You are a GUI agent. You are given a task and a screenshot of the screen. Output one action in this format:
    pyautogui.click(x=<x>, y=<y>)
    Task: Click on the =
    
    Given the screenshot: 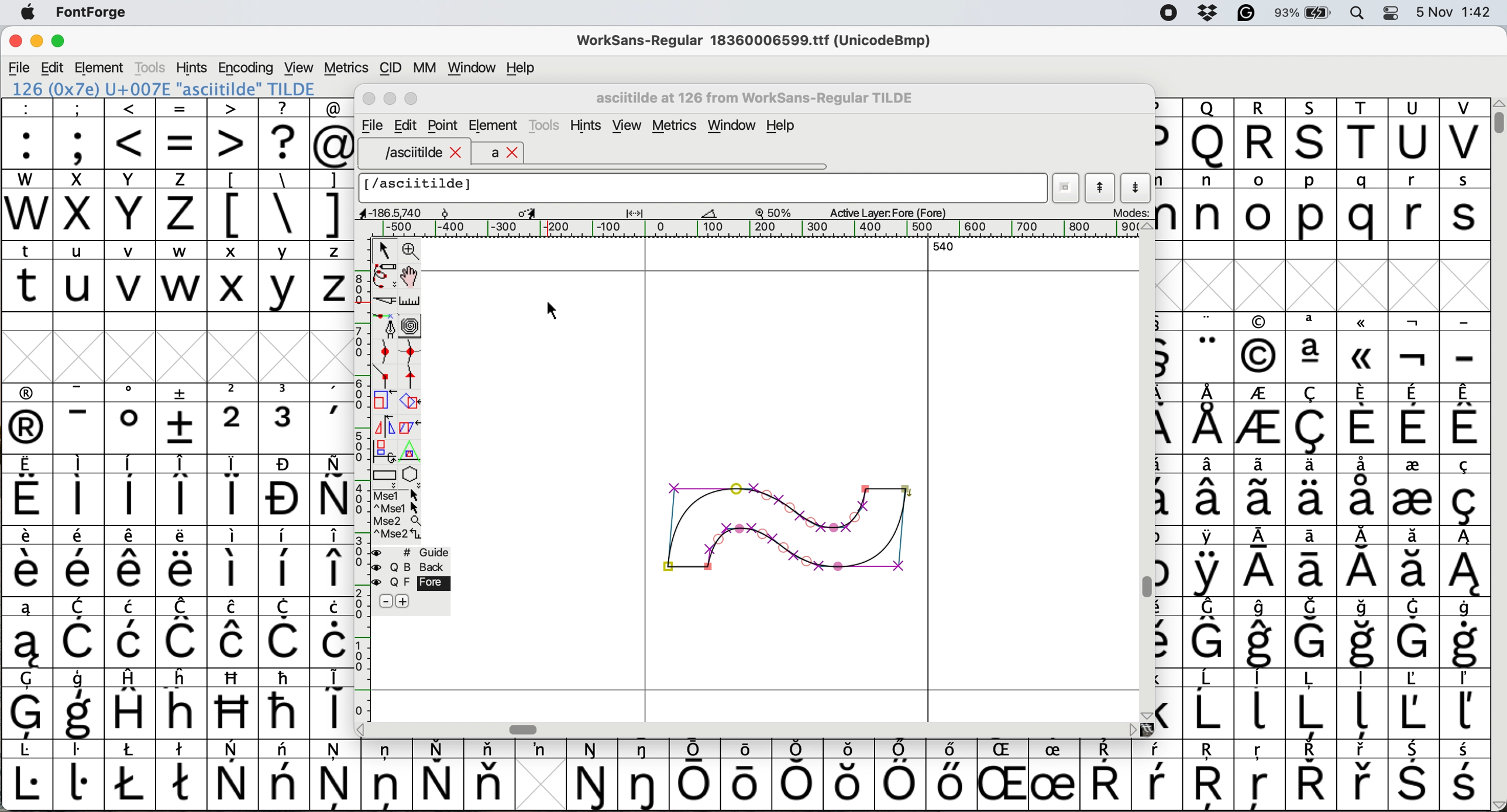 What is the action you would take?
    pyautogui.click(x=183, y=134)
    